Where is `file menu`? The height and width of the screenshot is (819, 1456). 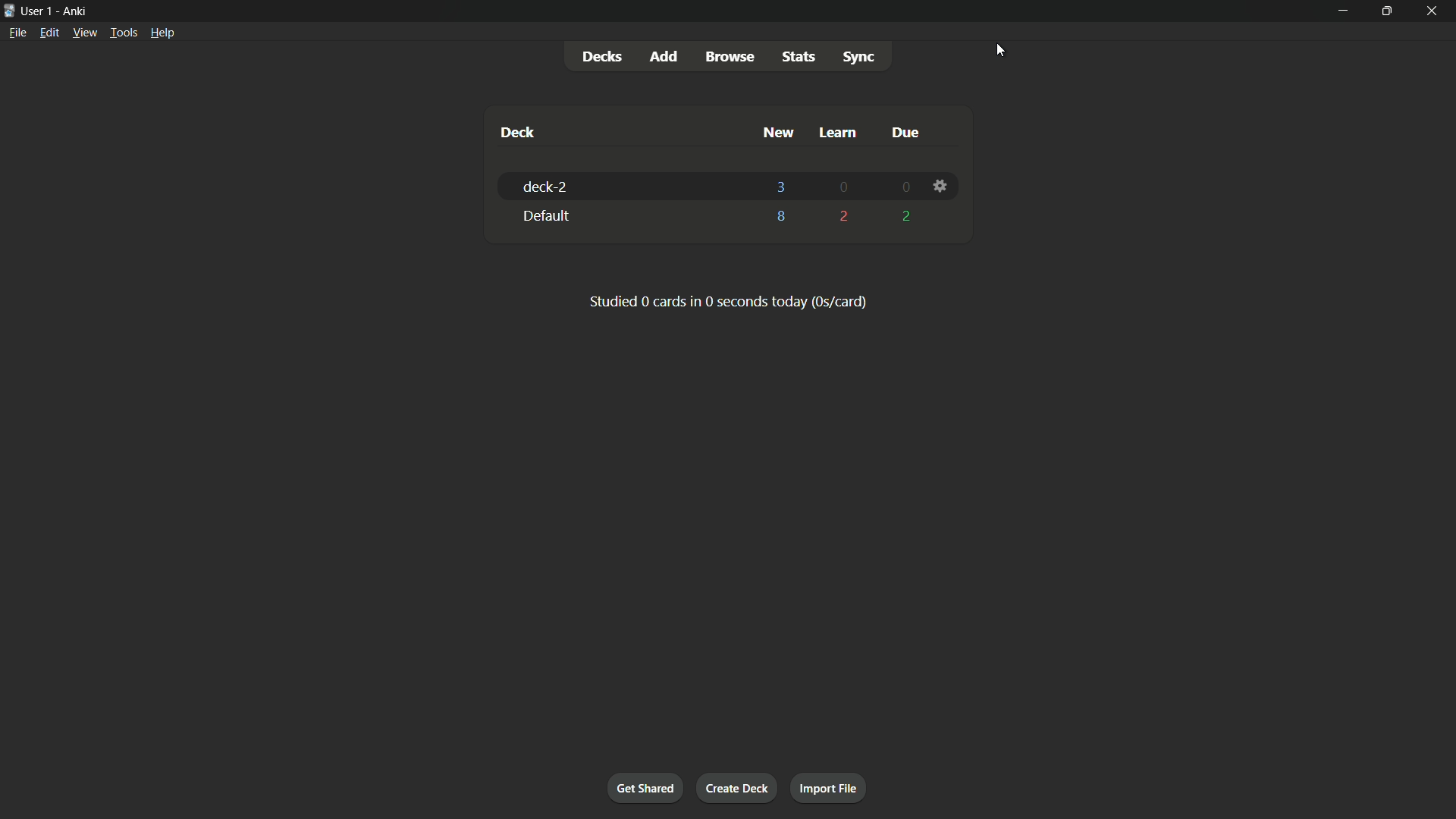
file menu is located at coordinates (17, 33).